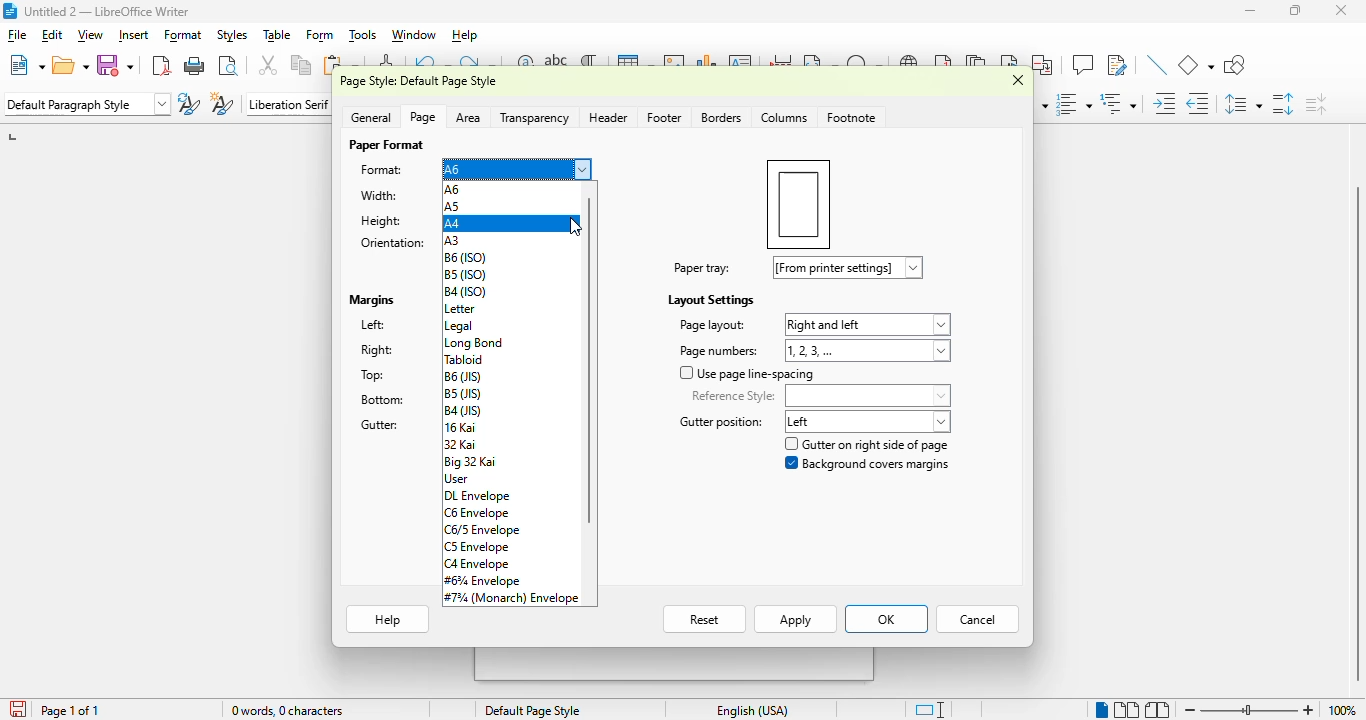  I want to click on background covers margin, so click(866, 463).